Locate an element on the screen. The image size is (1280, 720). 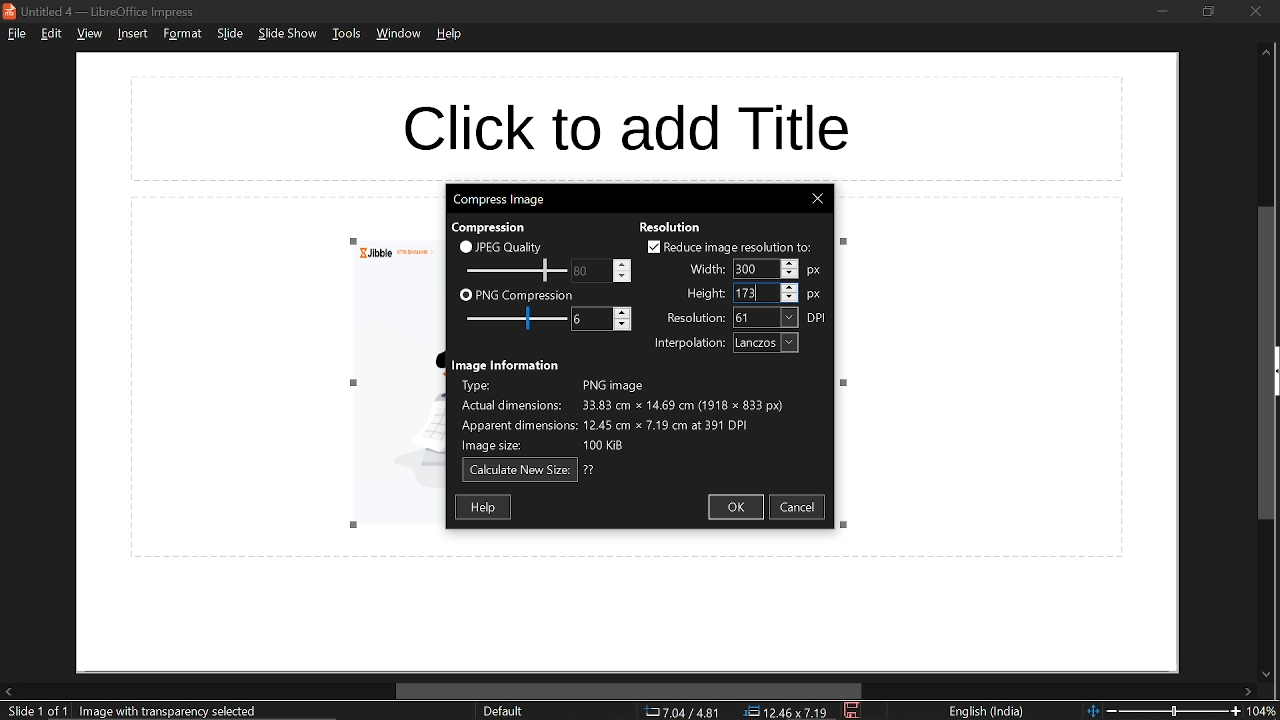
sheet style is located at coordinates (502, 712).